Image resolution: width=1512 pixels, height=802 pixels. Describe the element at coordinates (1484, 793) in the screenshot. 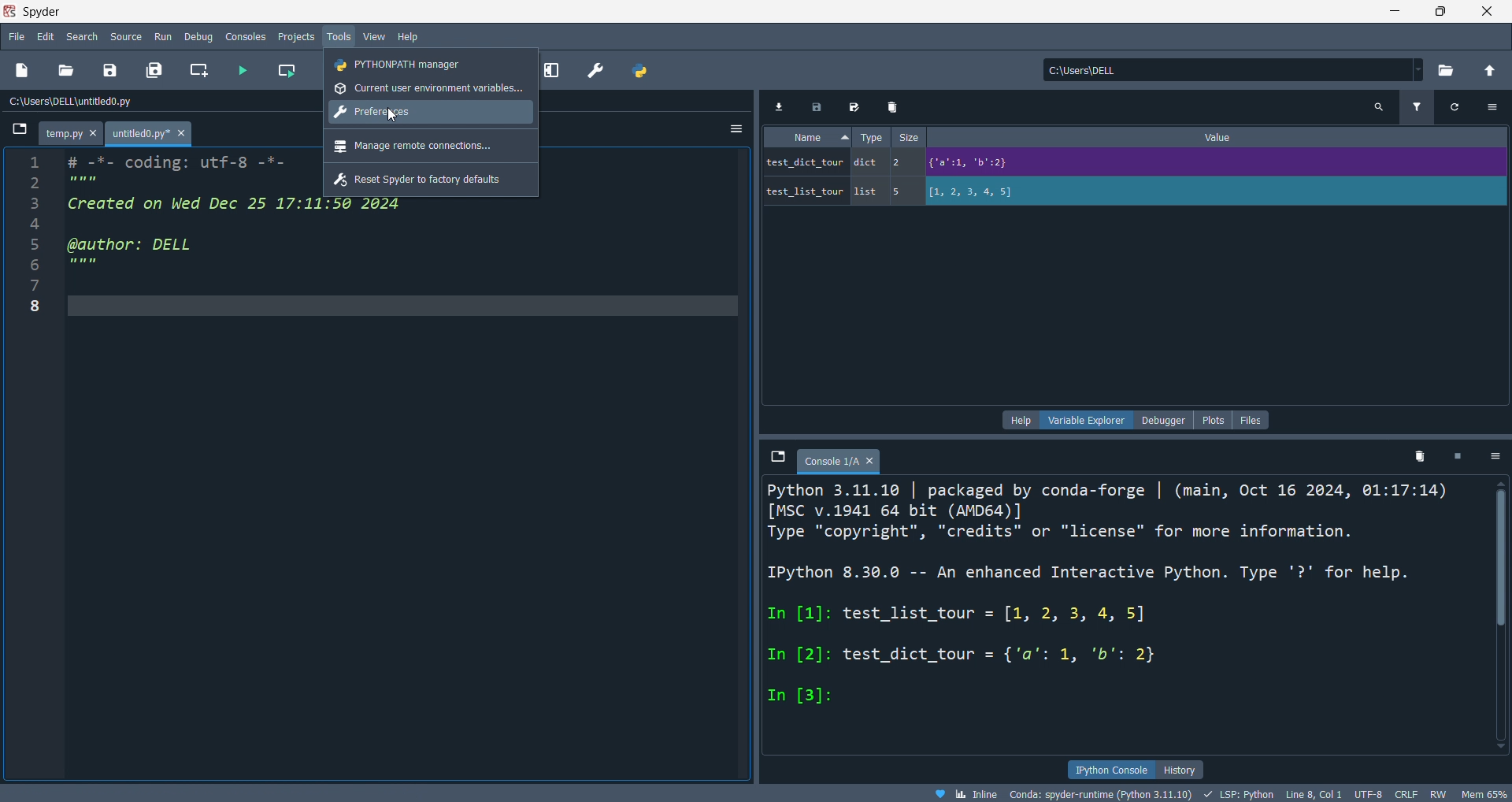

I see `Mem 64%` at that location.